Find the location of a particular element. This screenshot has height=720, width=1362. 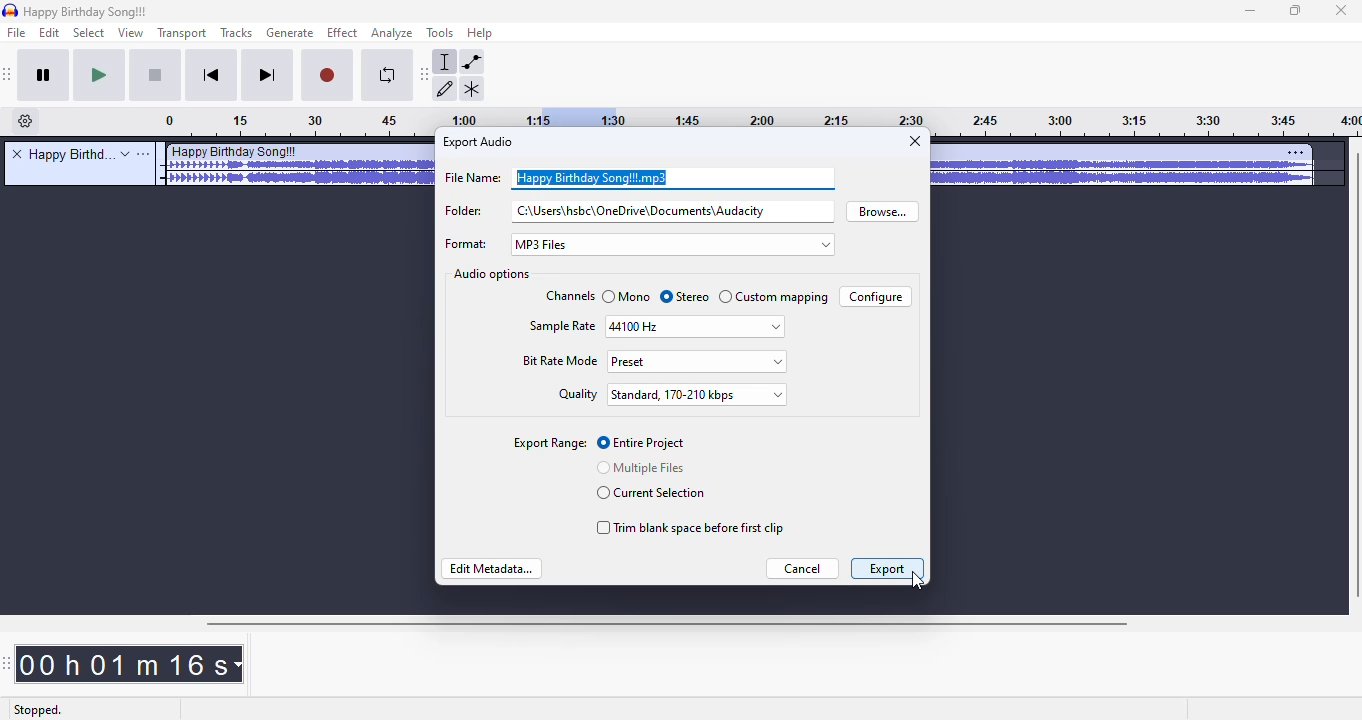

custom mapping is located at coordinates (775, 297).